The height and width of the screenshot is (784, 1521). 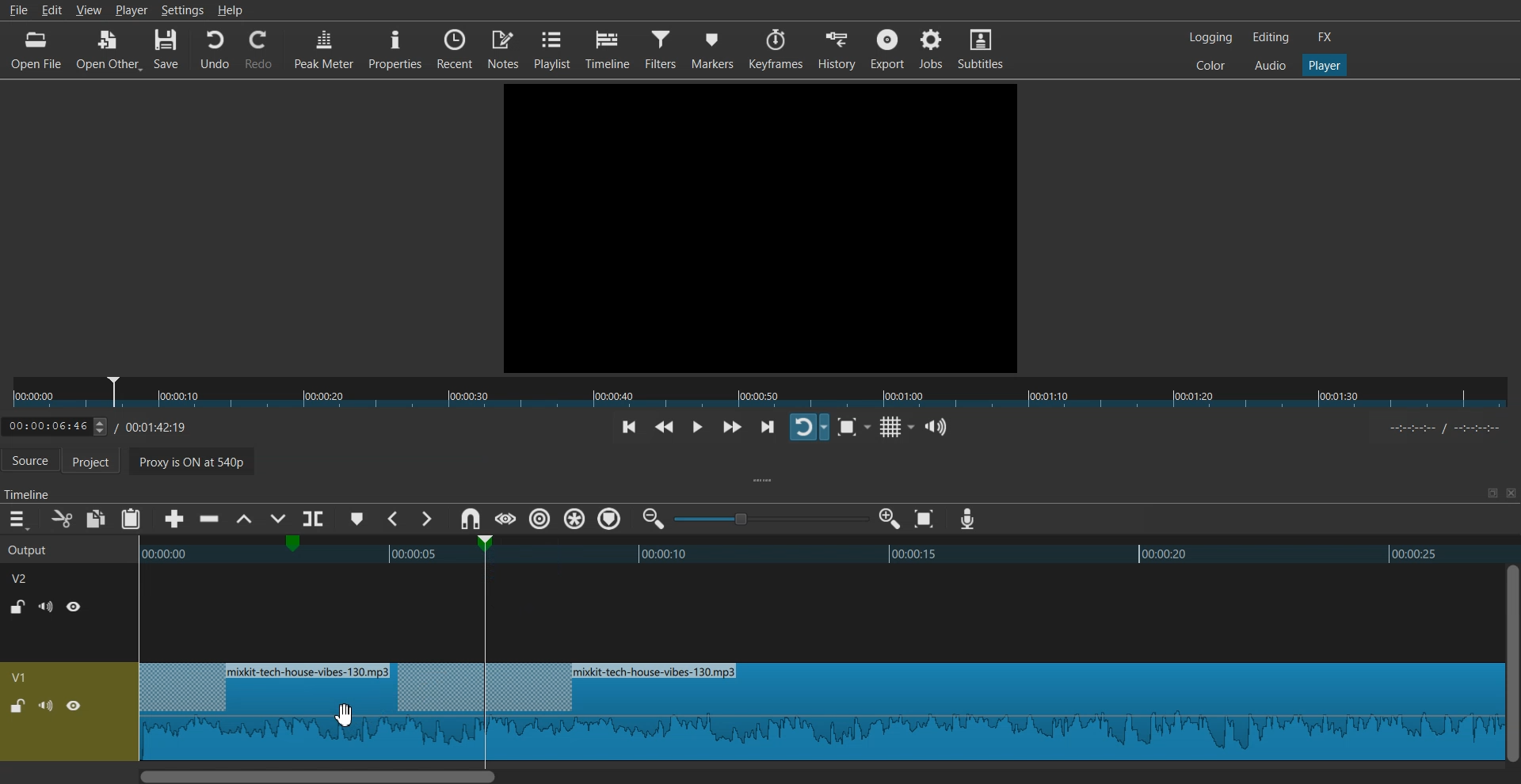 What do you see at coordinates (894, 428) in the screenshot?
I see `Toggle grid display on the player` at bounding box center [894, 428].